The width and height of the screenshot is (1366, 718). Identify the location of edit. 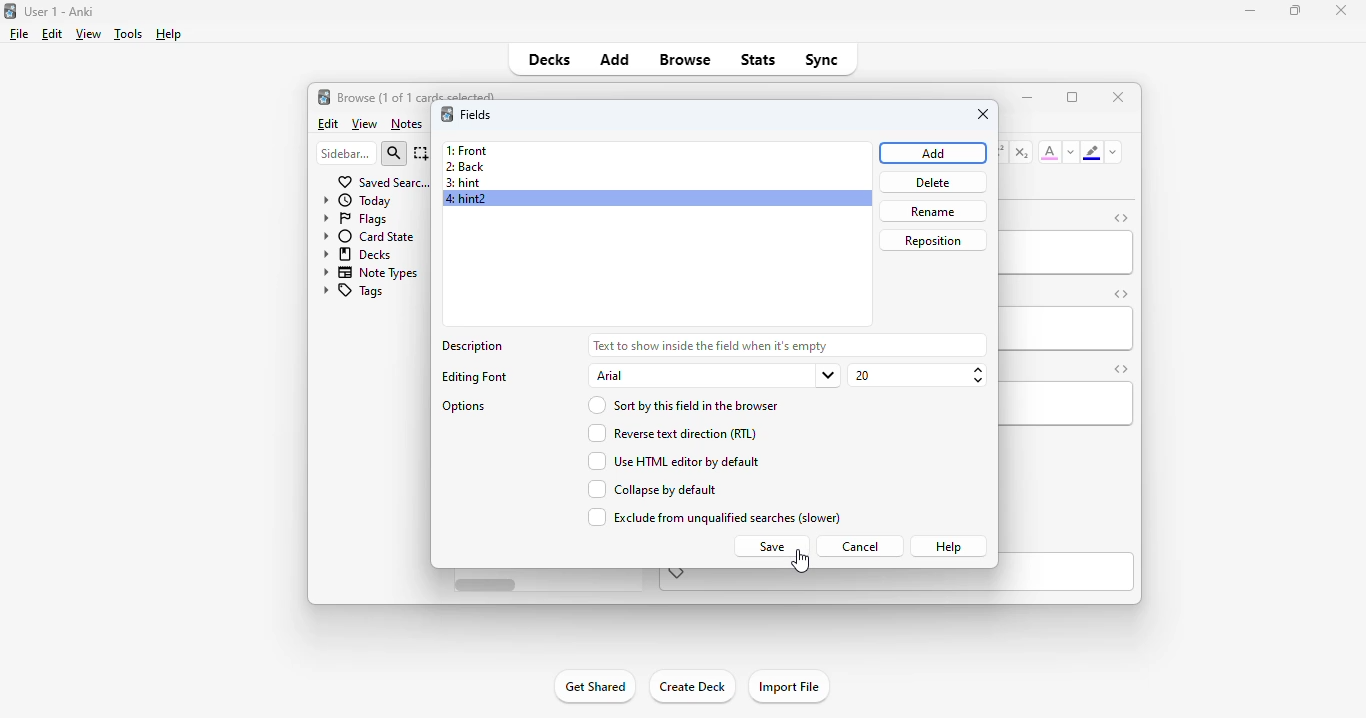
(52, 34).